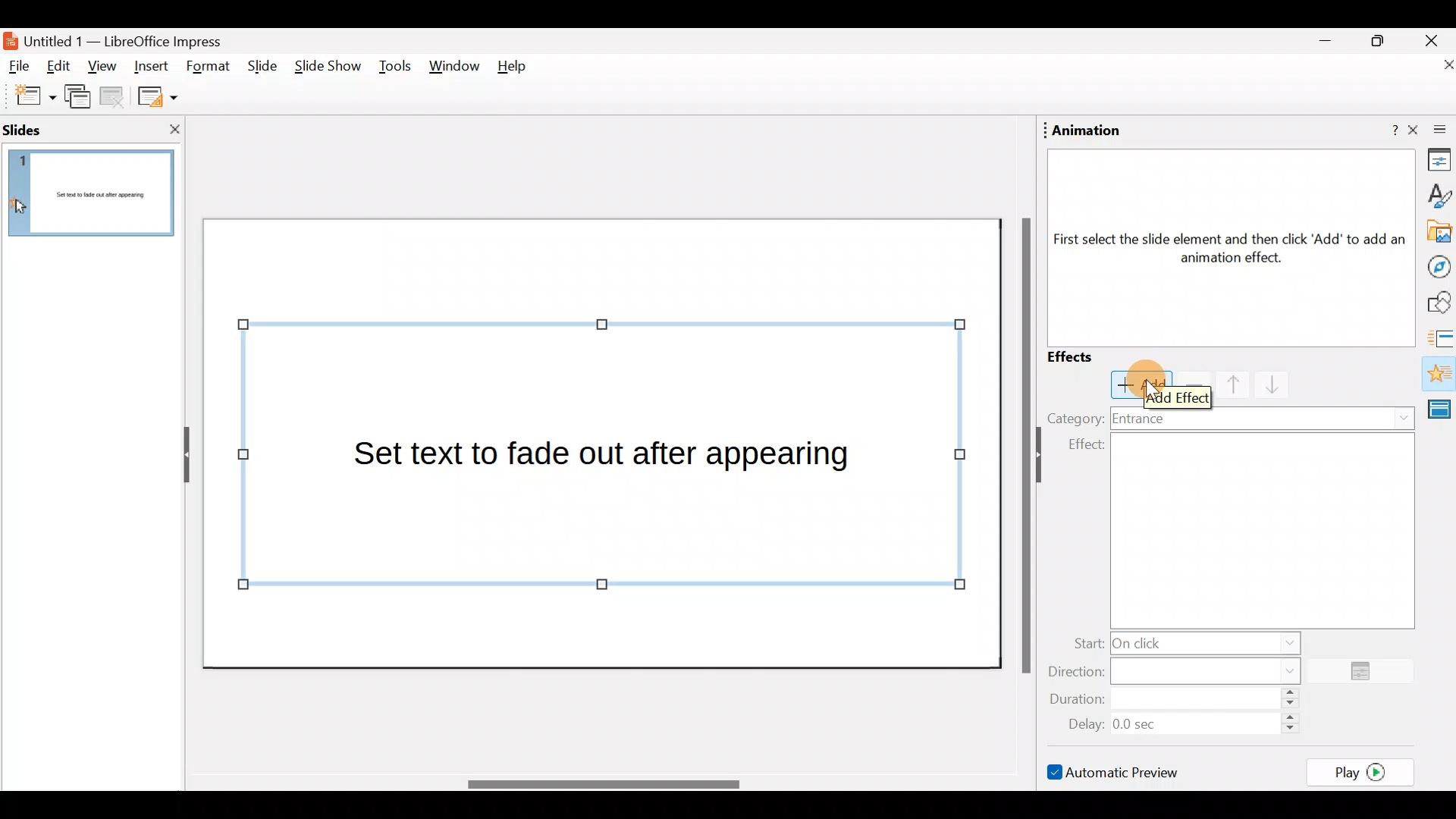 The height and width of the screenshot is (819, 1456). What do you see at coordinates (605, 442) in the screenshot?
I see `Presentation slide` at bounding box center [605, 442].